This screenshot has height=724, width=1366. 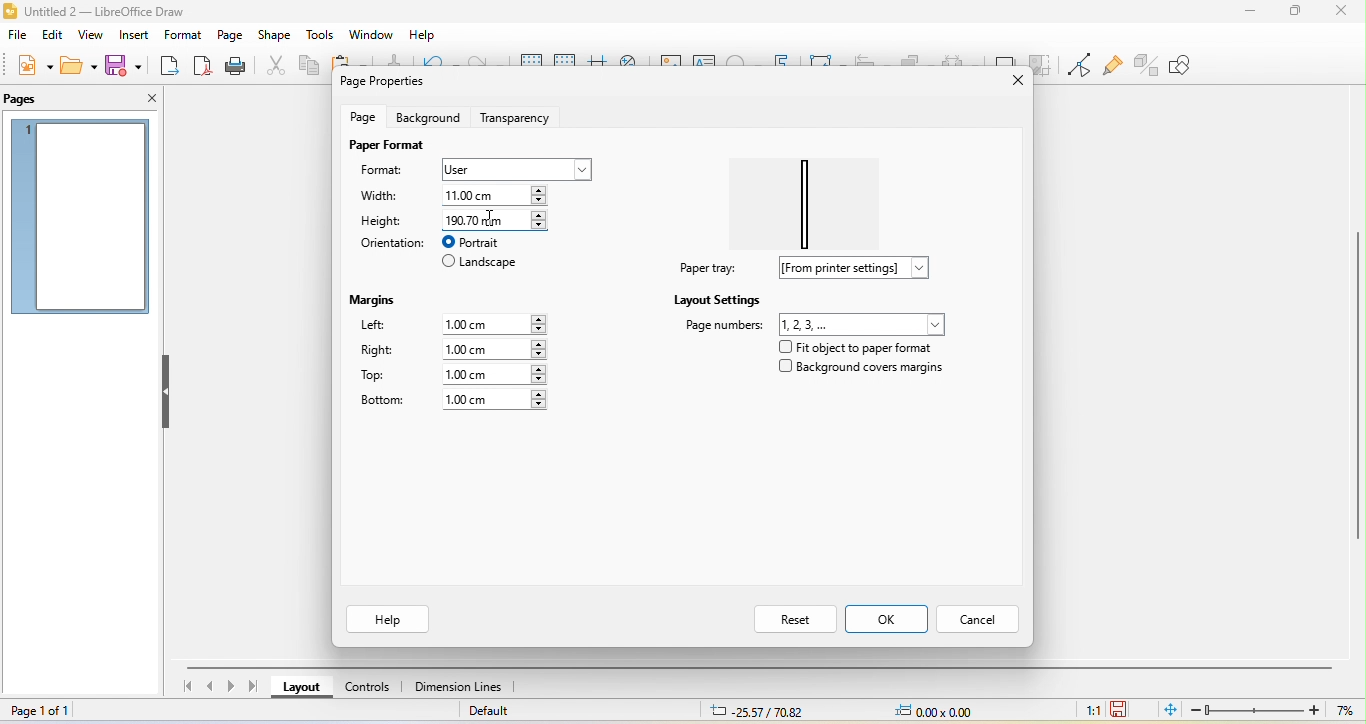 What do you see at coordinates (122, 10) in the screenshot?
I see `title` at bounding box center [122, 10].